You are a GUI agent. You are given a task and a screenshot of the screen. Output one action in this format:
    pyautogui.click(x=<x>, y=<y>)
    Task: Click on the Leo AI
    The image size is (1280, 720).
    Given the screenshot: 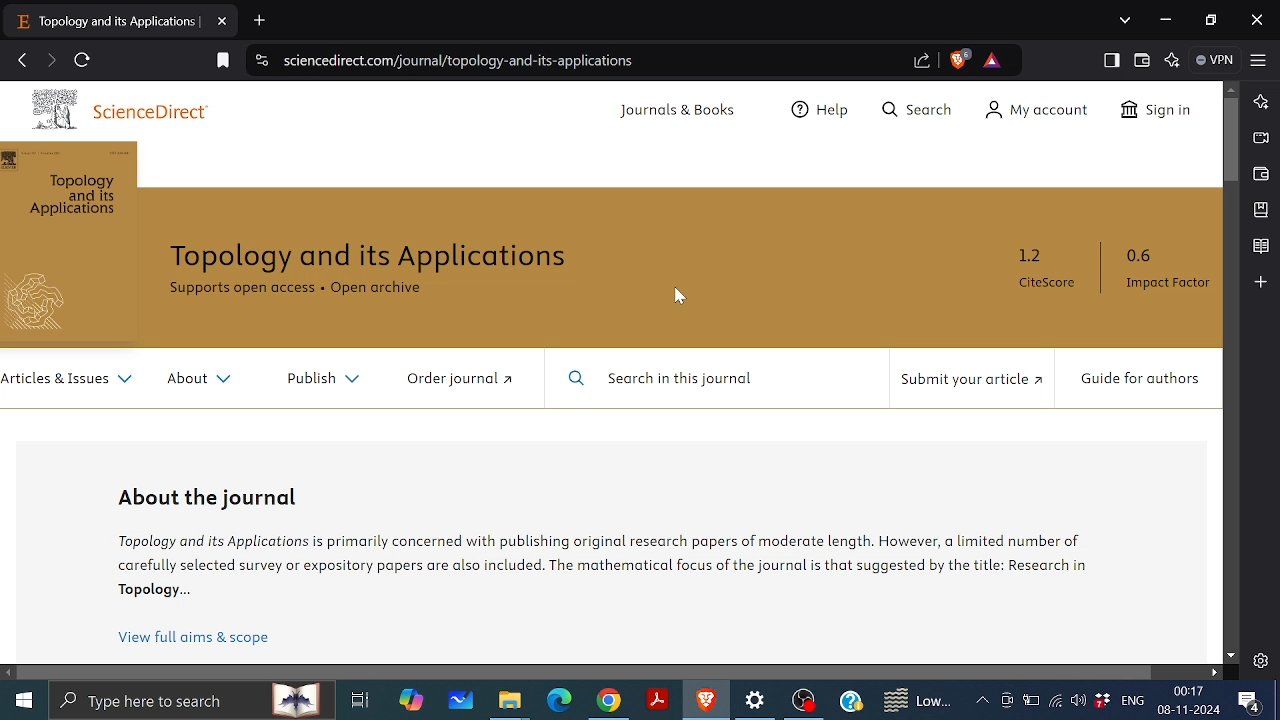 What is the action you would take?
    pyautogui.click(x=1259, y=102)
    